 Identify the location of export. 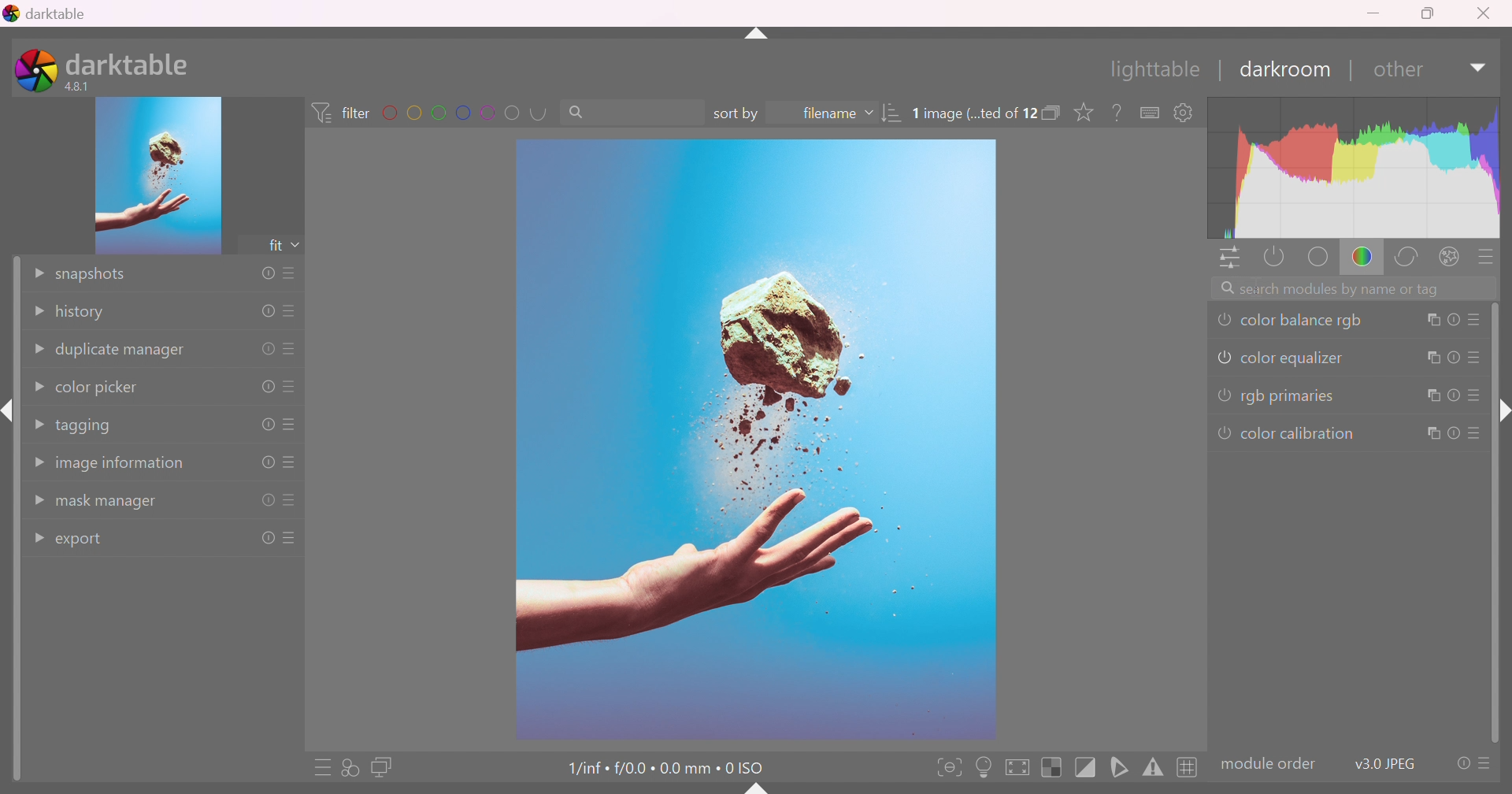
(83, 542).